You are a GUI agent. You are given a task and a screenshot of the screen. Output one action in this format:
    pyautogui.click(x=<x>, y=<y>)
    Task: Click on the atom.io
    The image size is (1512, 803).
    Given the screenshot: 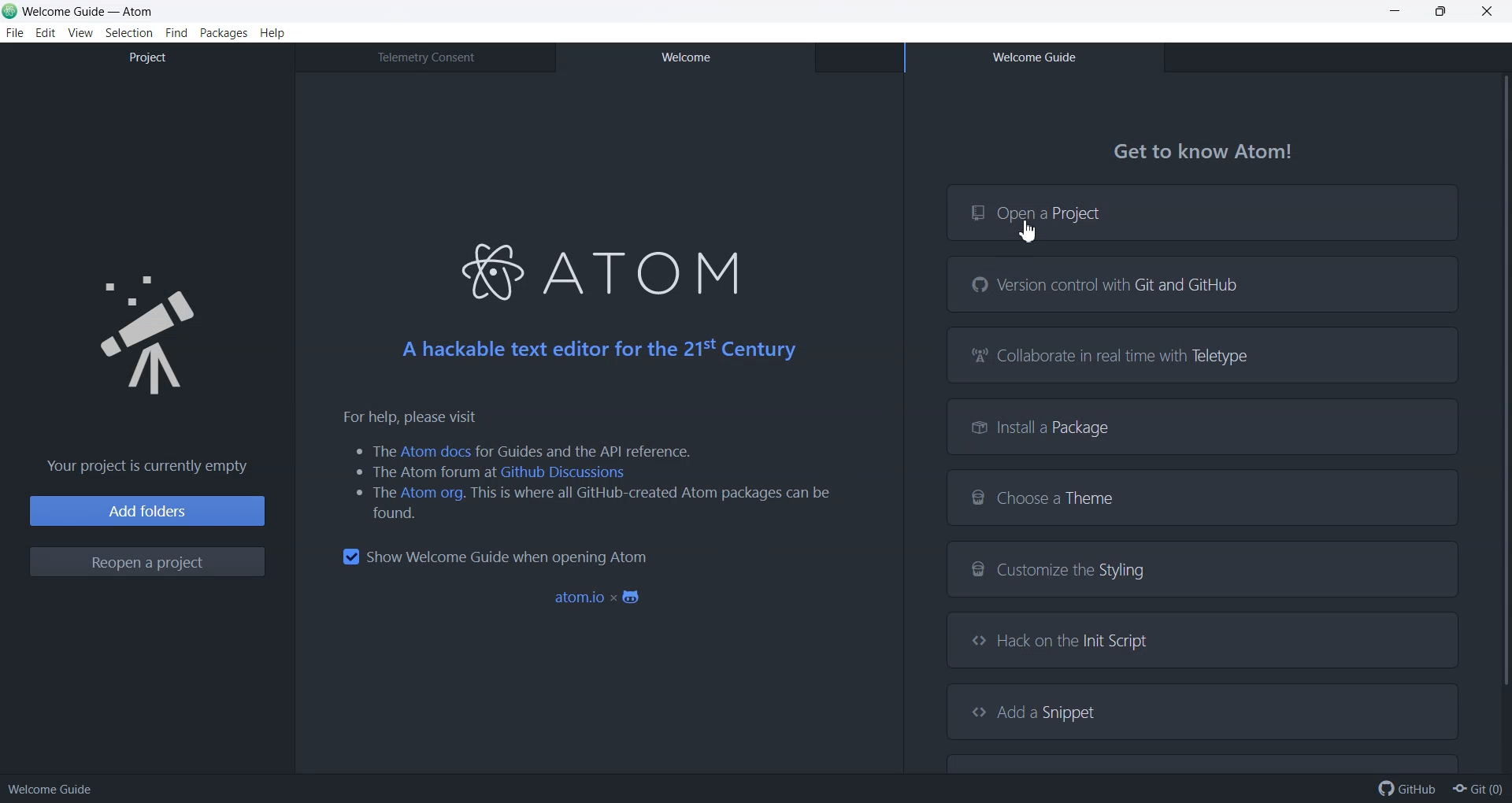 What is the action you would take?
    pyautogui.click(x=600, y=598)
    